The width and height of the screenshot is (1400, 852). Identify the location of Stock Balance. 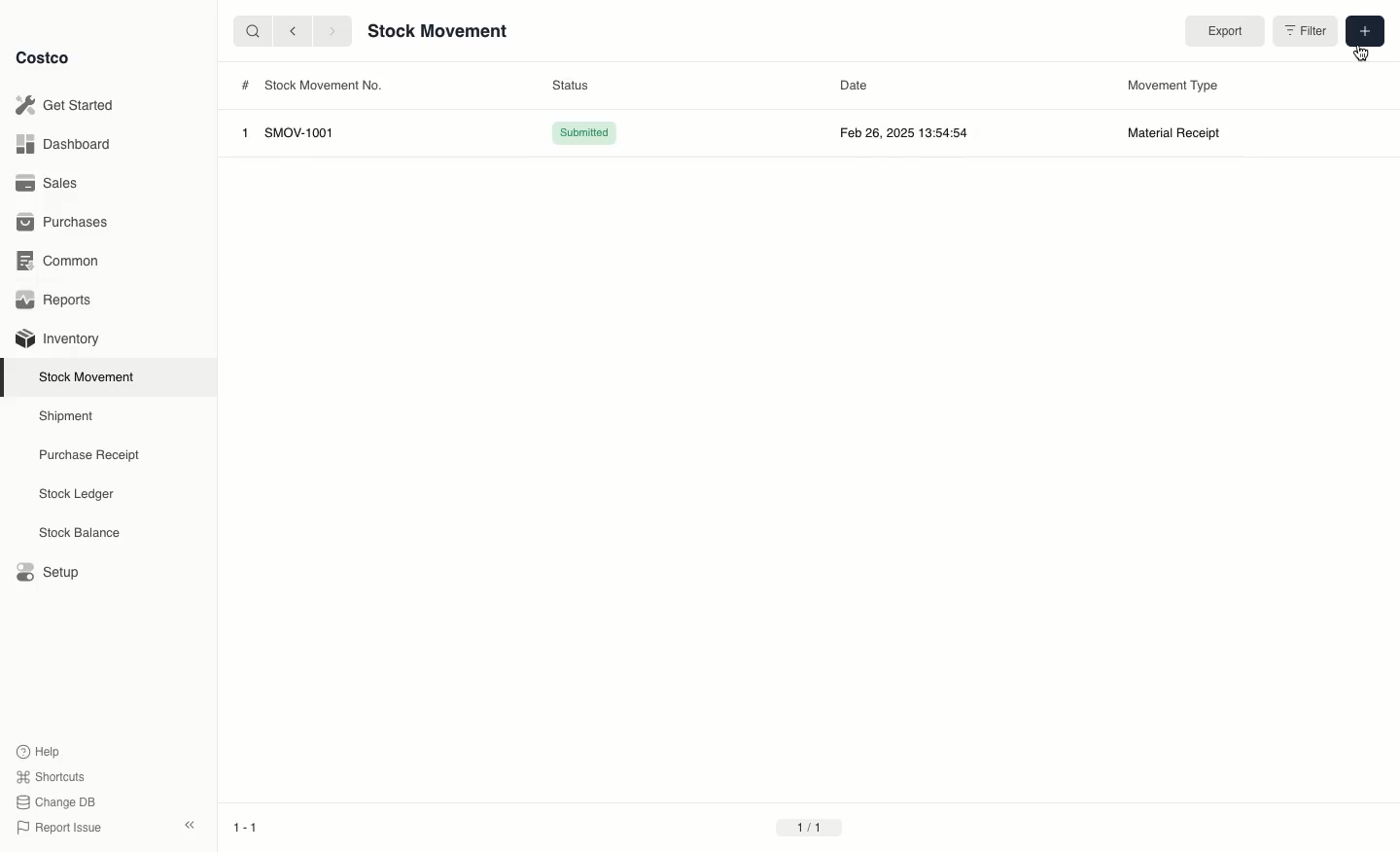
(82, 533).